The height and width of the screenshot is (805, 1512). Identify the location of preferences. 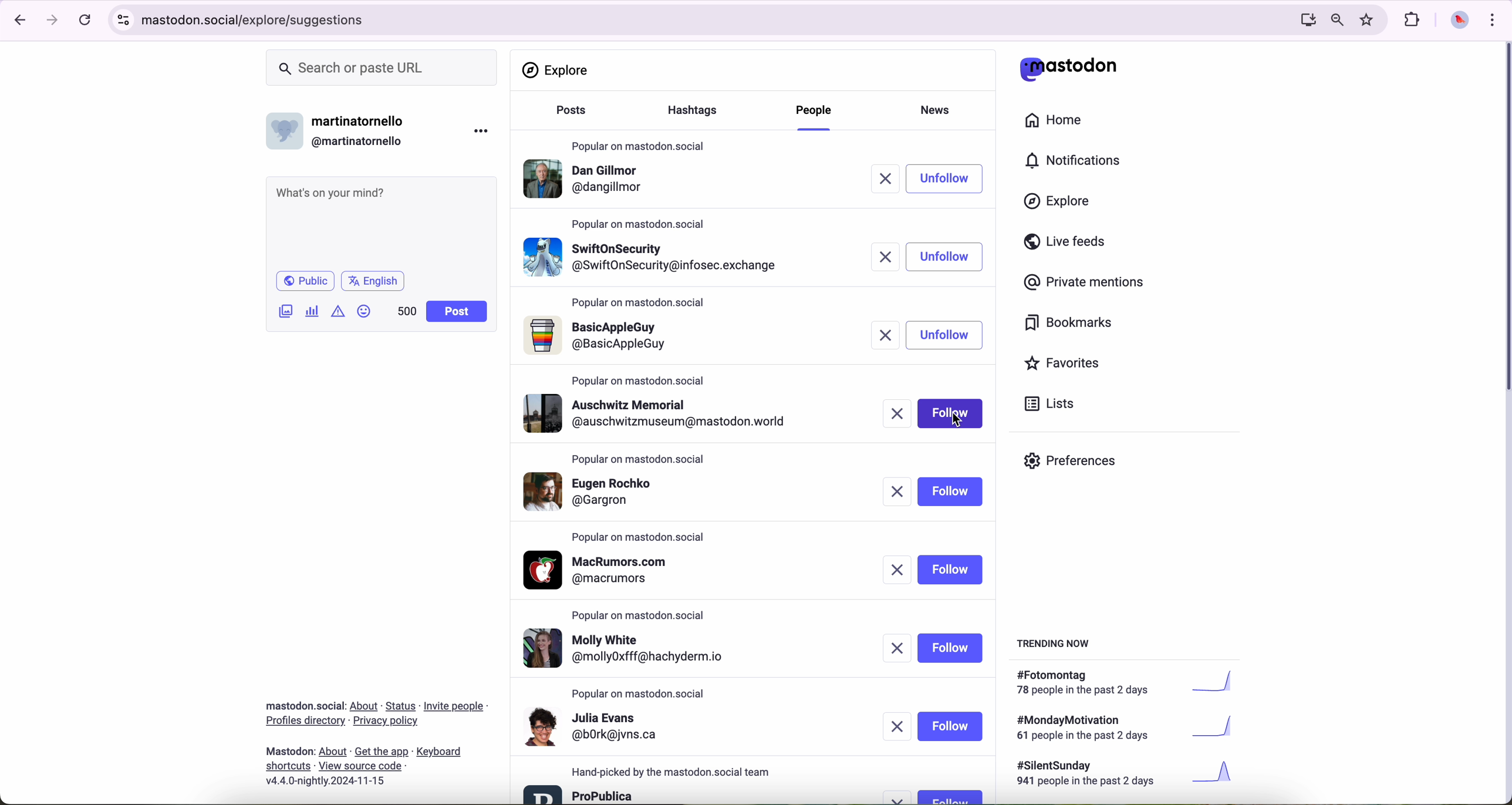
(1079, 465).